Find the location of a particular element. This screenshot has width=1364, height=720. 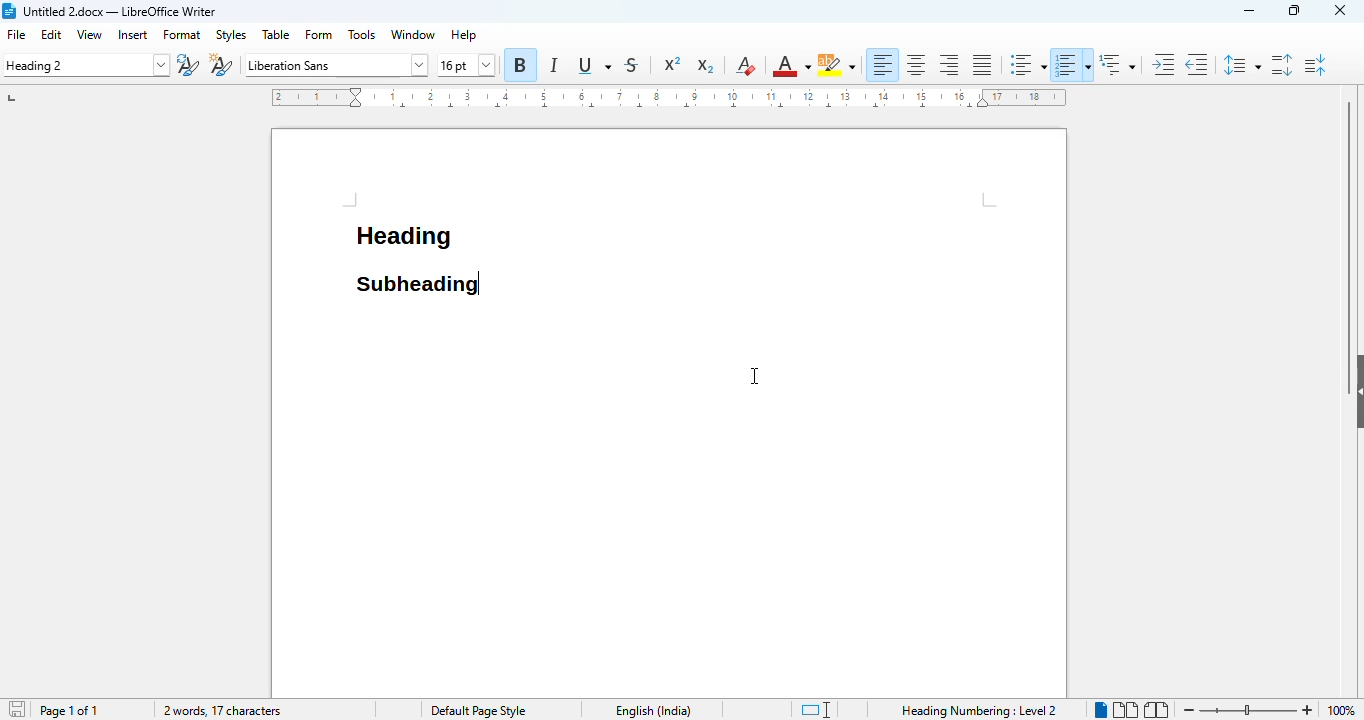

format is located at coordinates (182, 35).